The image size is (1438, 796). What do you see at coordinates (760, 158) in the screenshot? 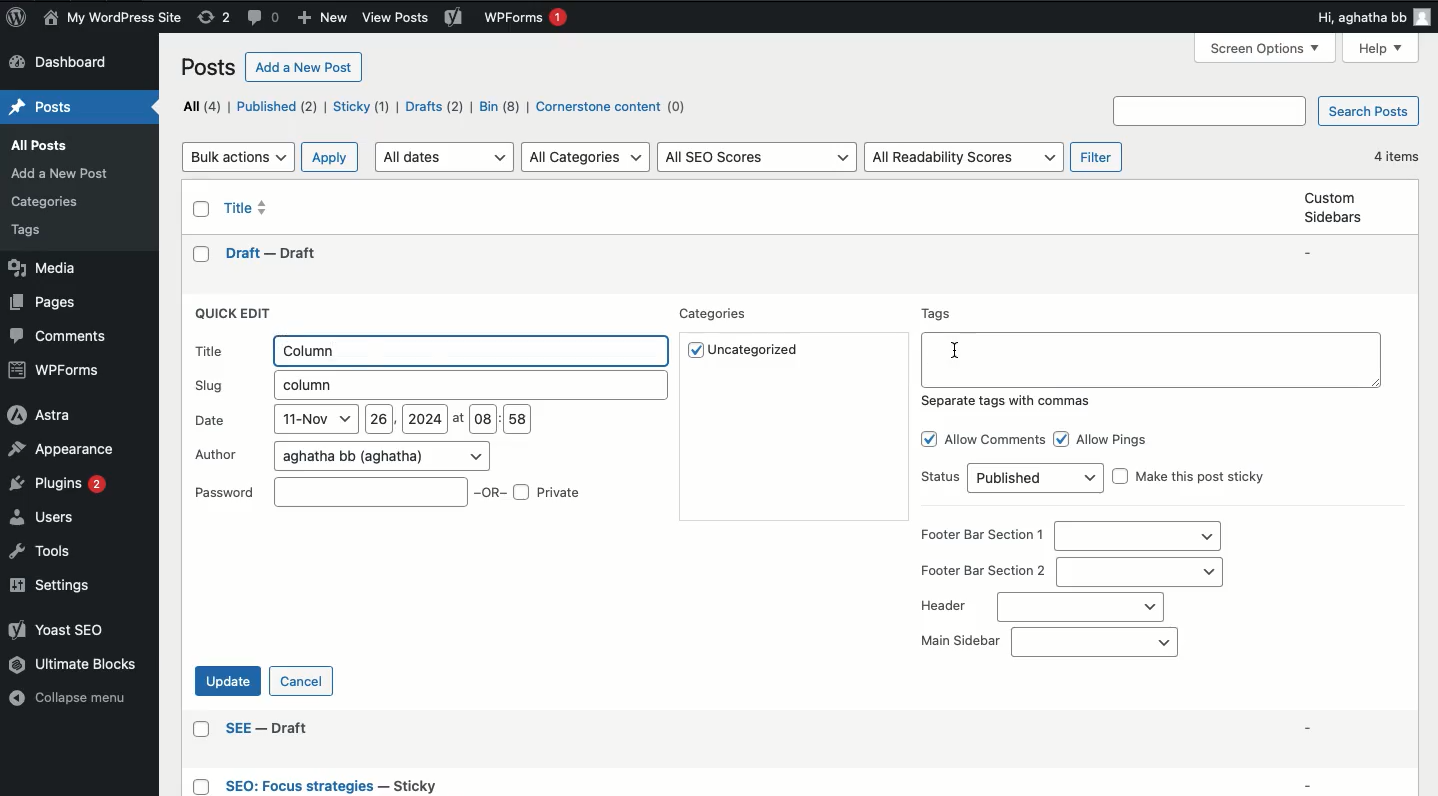
I see `All SEO scores` at bounding box center [760, 158].